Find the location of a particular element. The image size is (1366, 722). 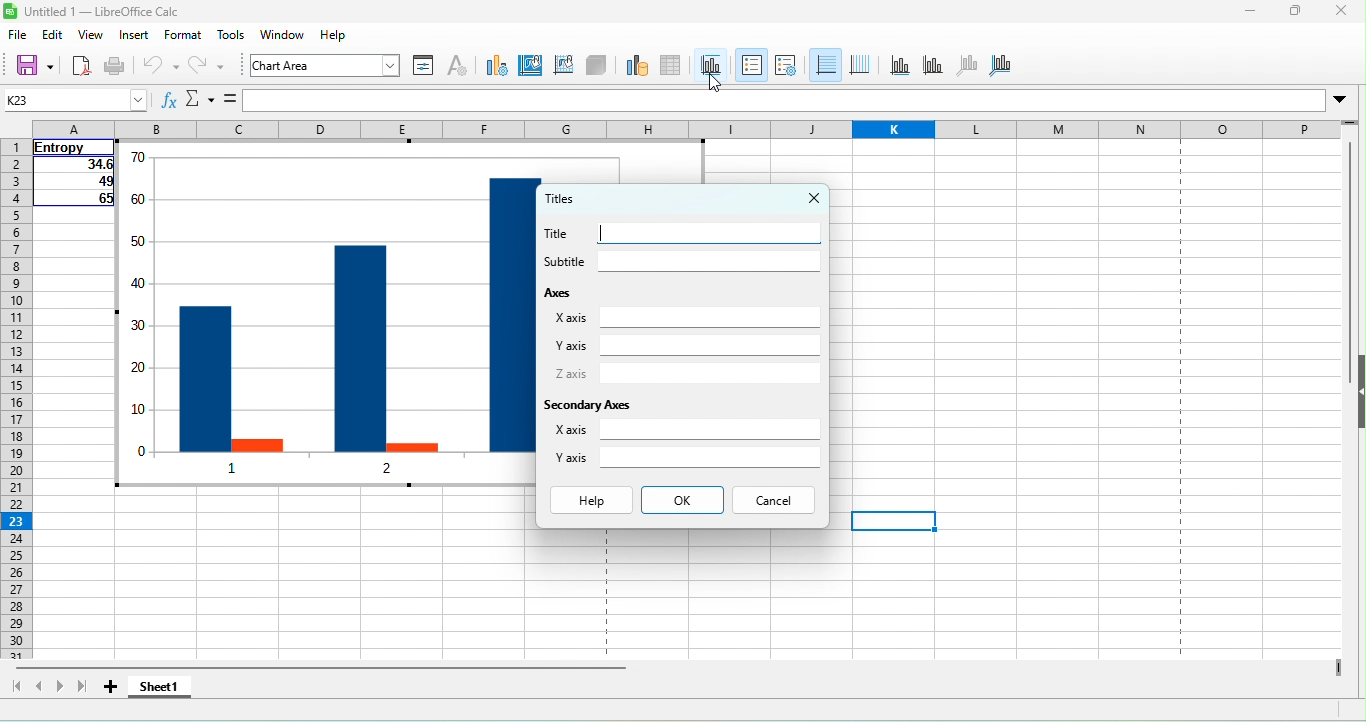

format is located at coordinates (187, 39).